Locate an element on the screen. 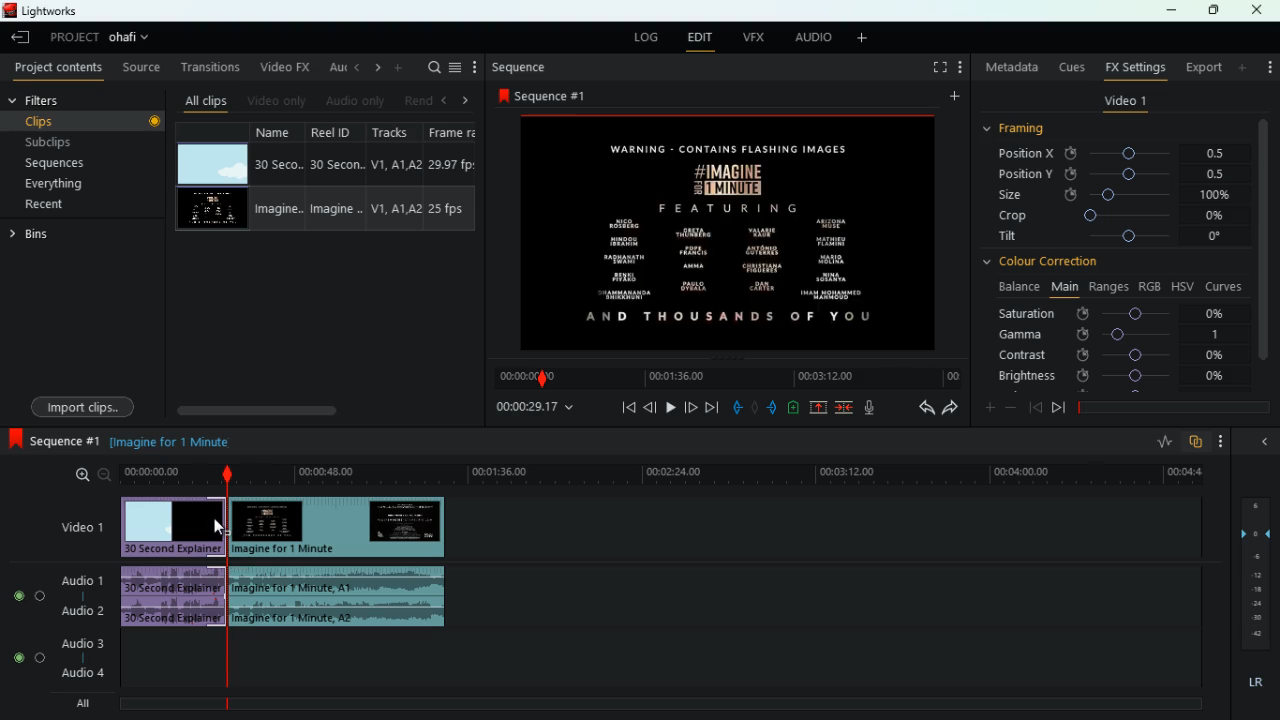  left is located at coordinates (448, 100).